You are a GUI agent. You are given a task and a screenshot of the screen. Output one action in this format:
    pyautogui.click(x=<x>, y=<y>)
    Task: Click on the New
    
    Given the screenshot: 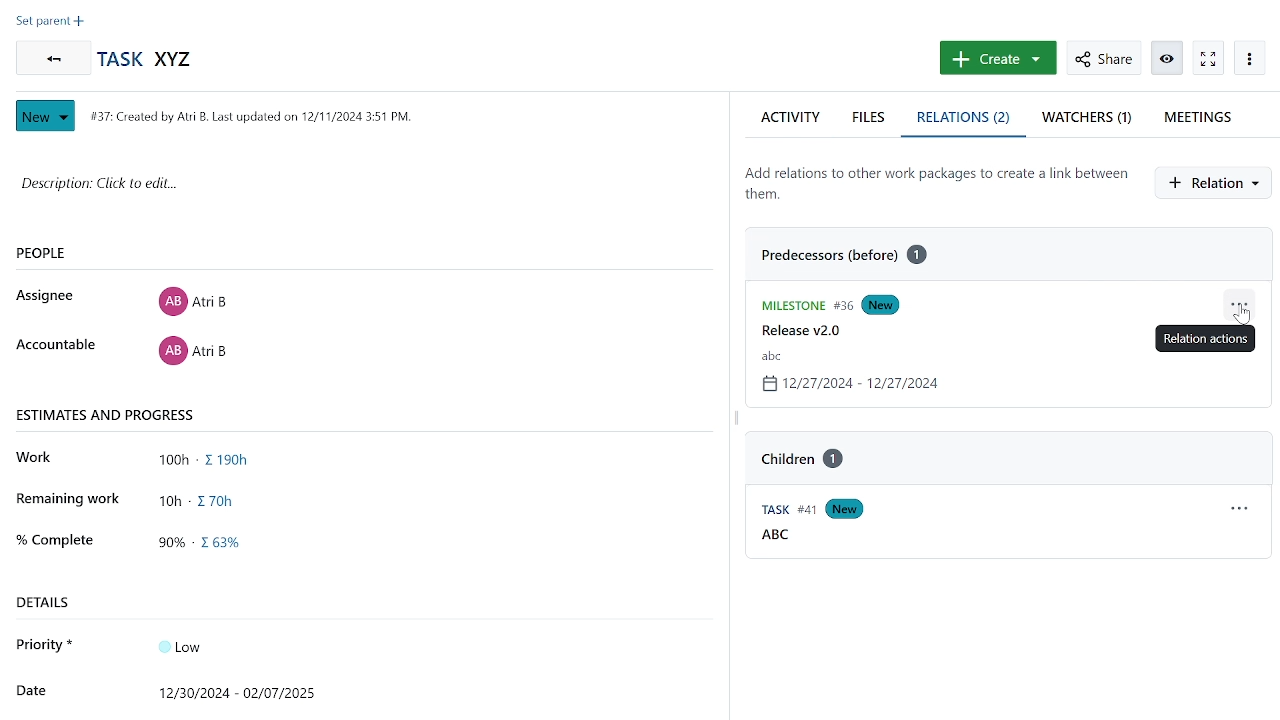 What is the action you would take?
    pyautogui.click(x=905, y=304)
    